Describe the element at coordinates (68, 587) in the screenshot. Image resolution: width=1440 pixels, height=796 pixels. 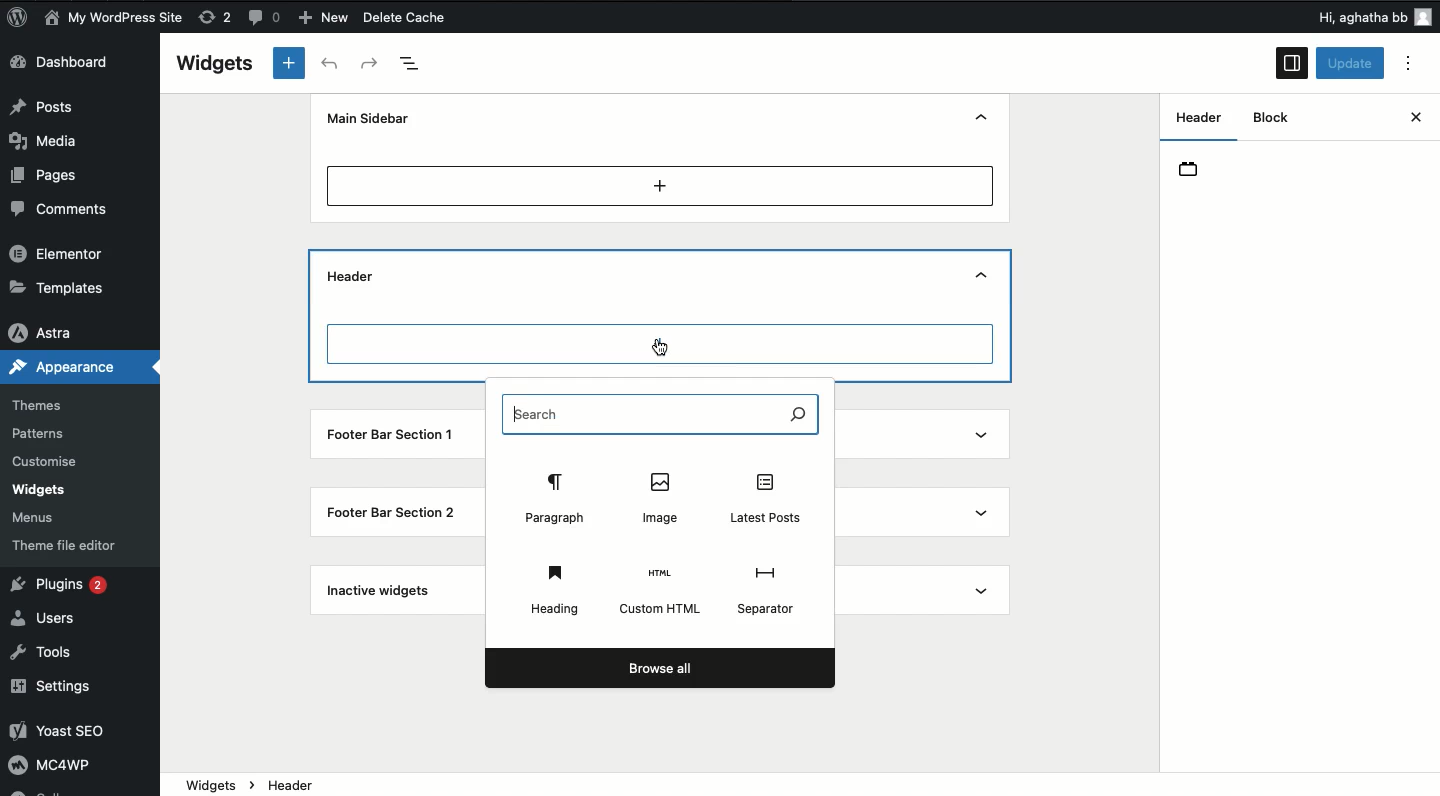
I see `Plugins 2` at that location.